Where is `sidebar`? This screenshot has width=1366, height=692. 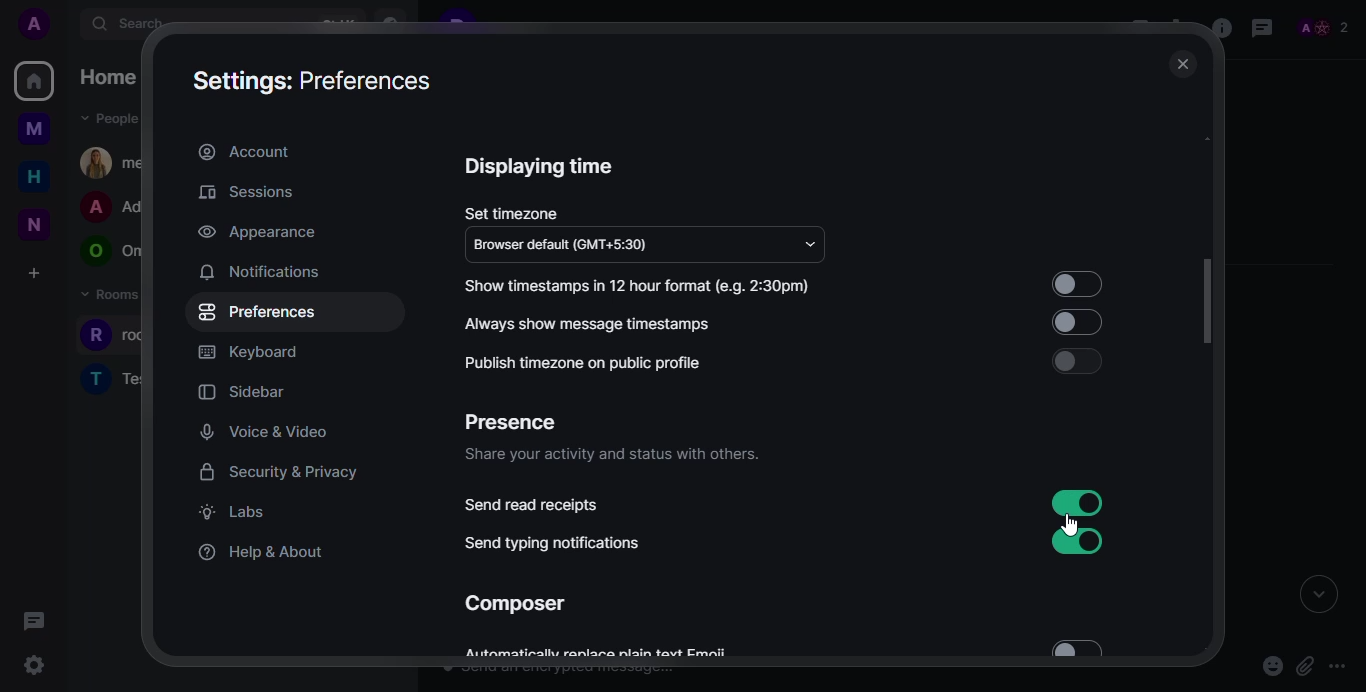
sidebar is located at coordinates (246, 391).